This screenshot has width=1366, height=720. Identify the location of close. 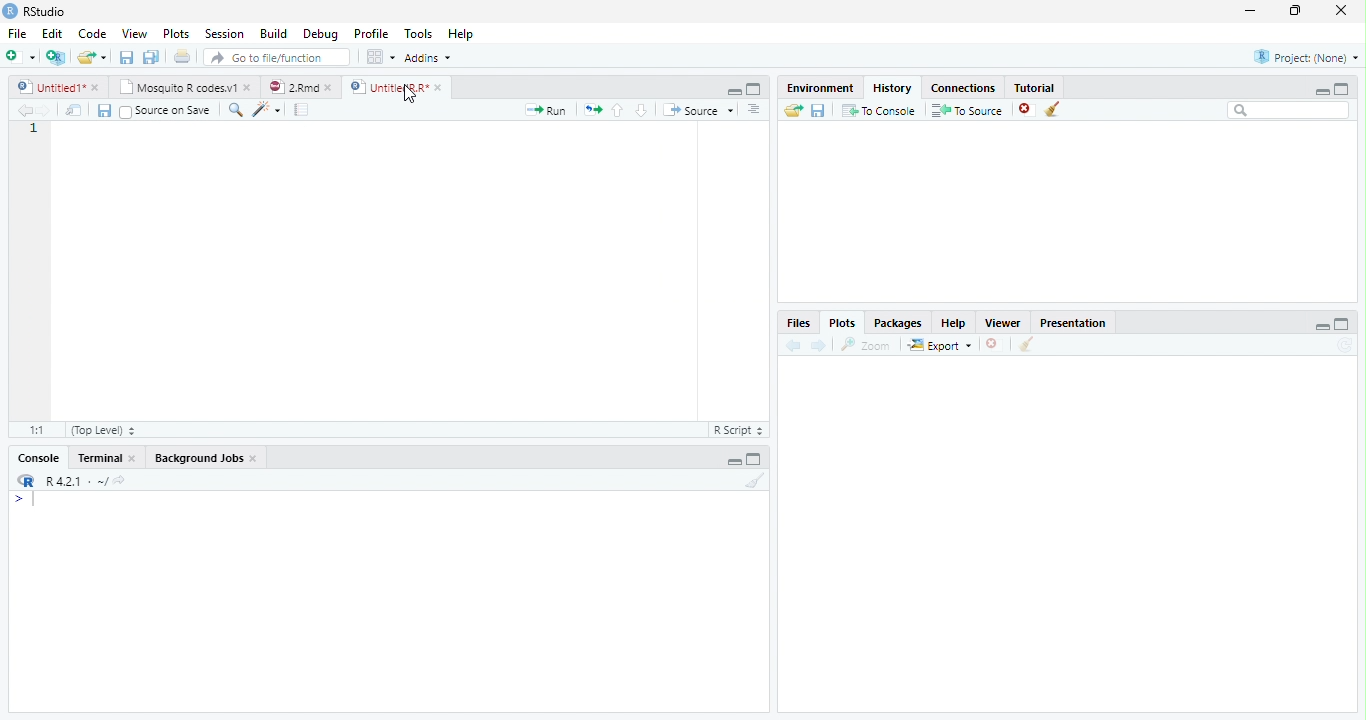
(132, 457).